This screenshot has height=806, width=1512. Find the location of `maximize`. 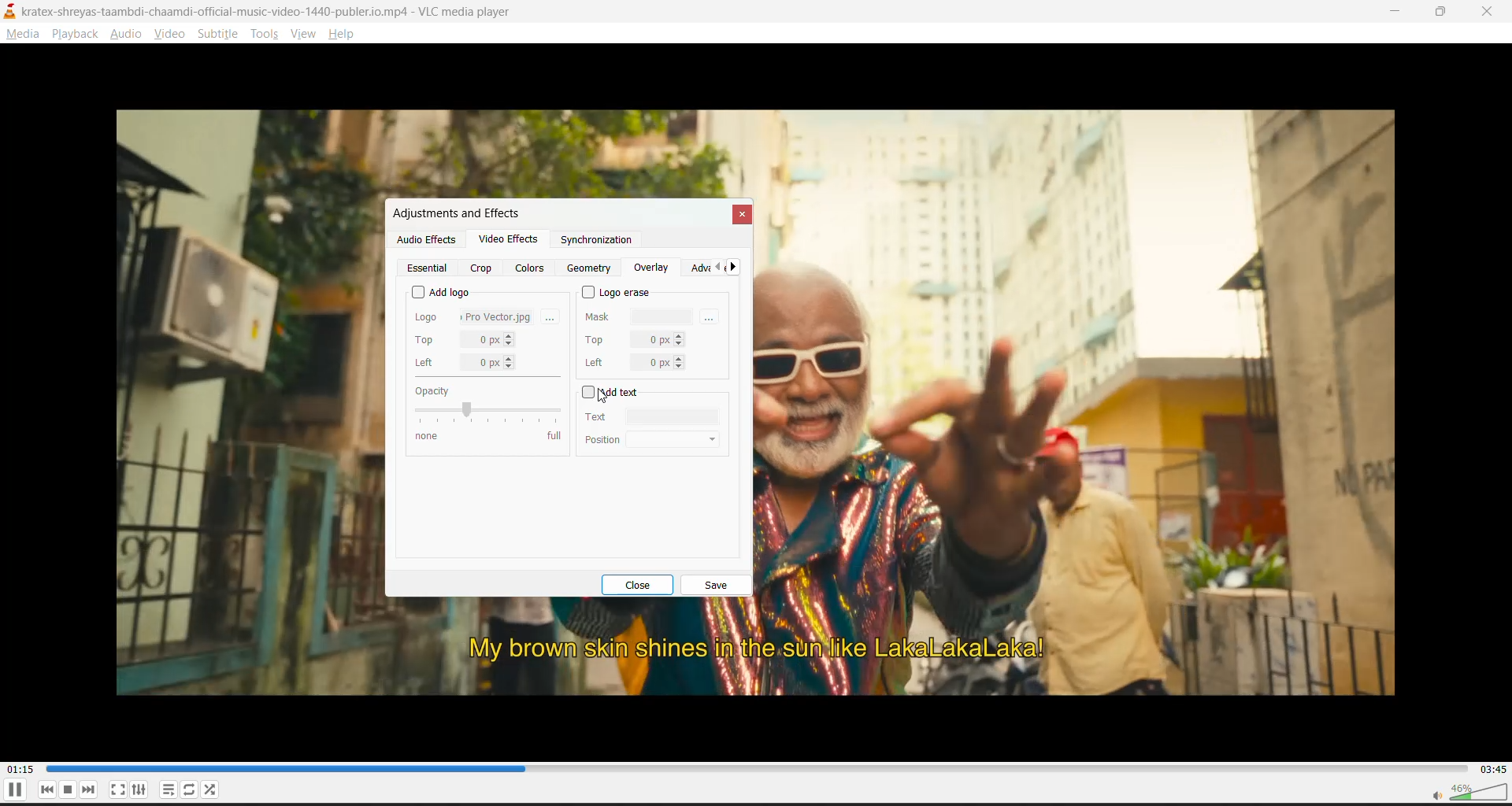

maximize is located at coordinates (1446, 13).